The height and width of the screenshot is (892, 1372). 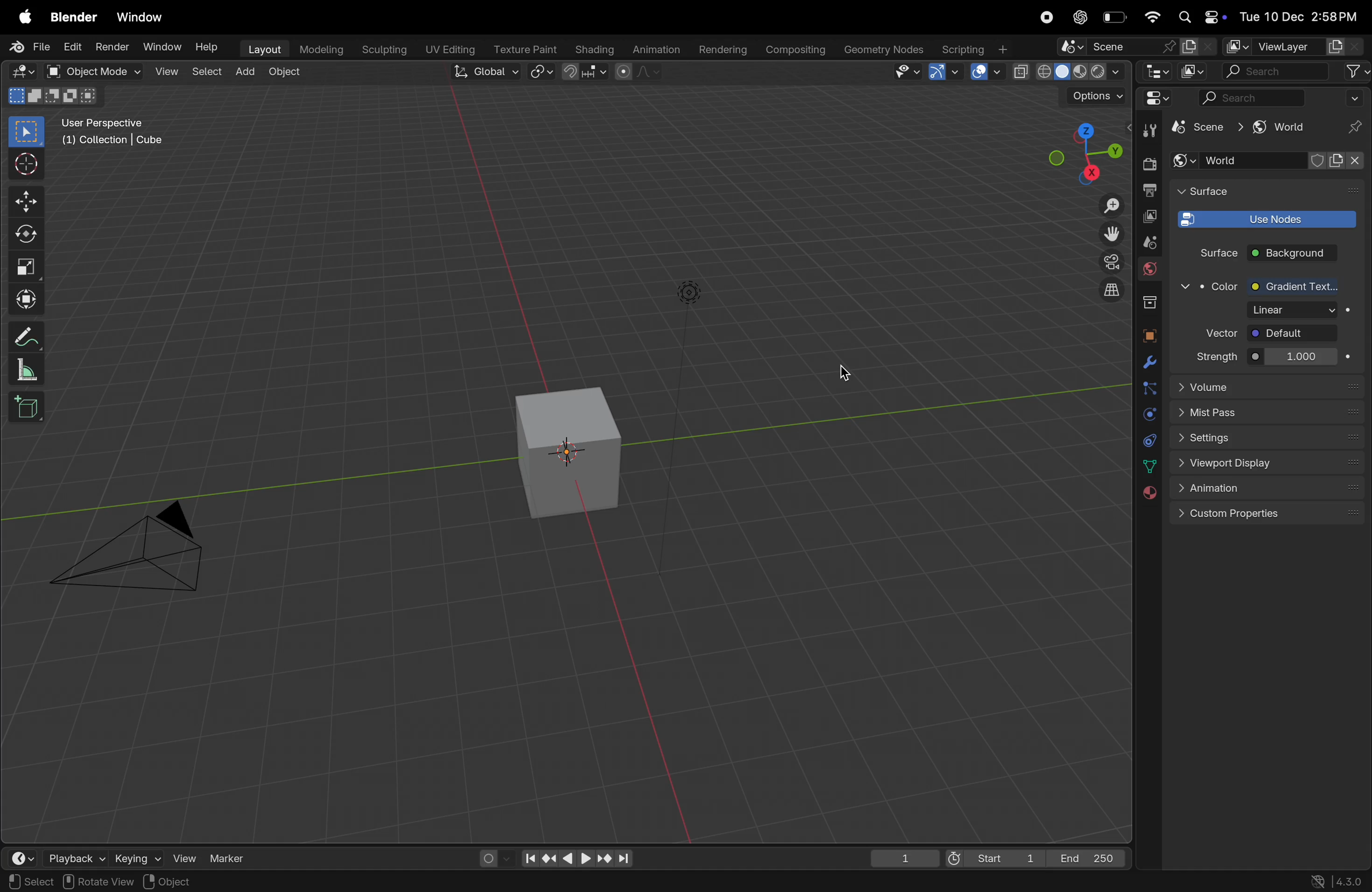 What do you see at coordinates (1203, 128) in the screenshot?
I see `scene` at bounding box center [1203, 128].